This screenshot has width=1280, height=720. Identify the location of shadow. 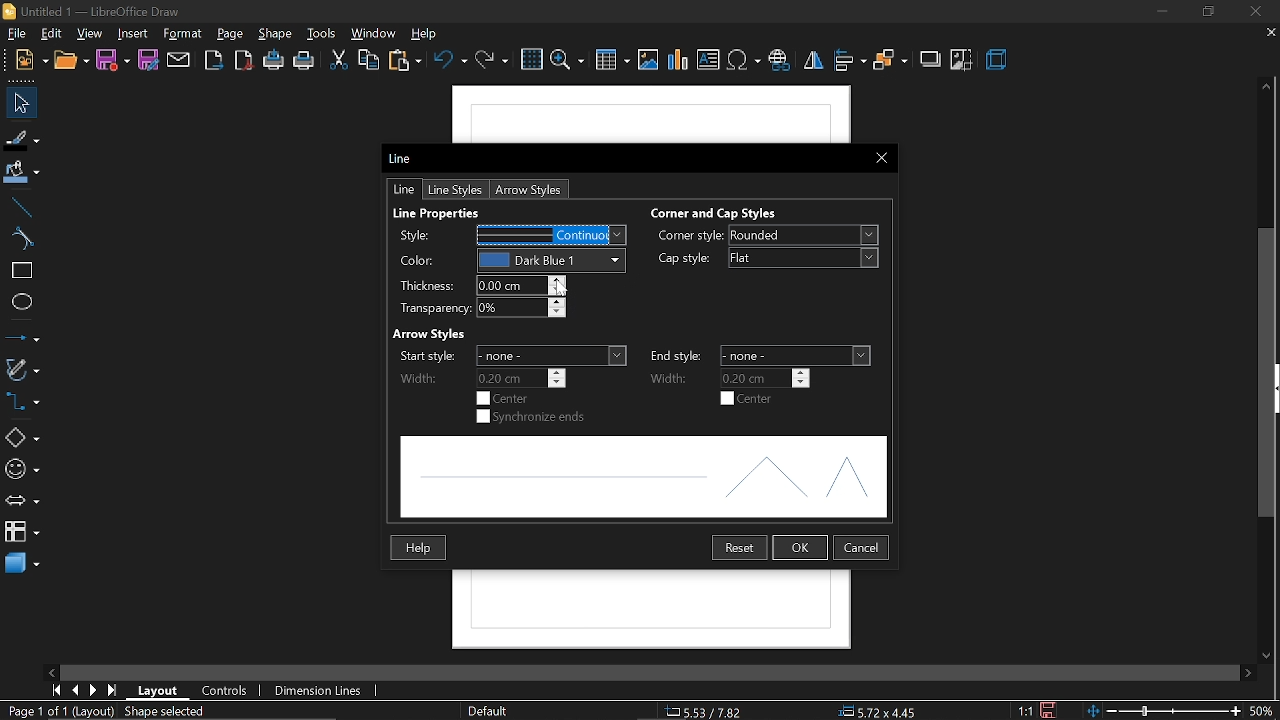
(928, 60).